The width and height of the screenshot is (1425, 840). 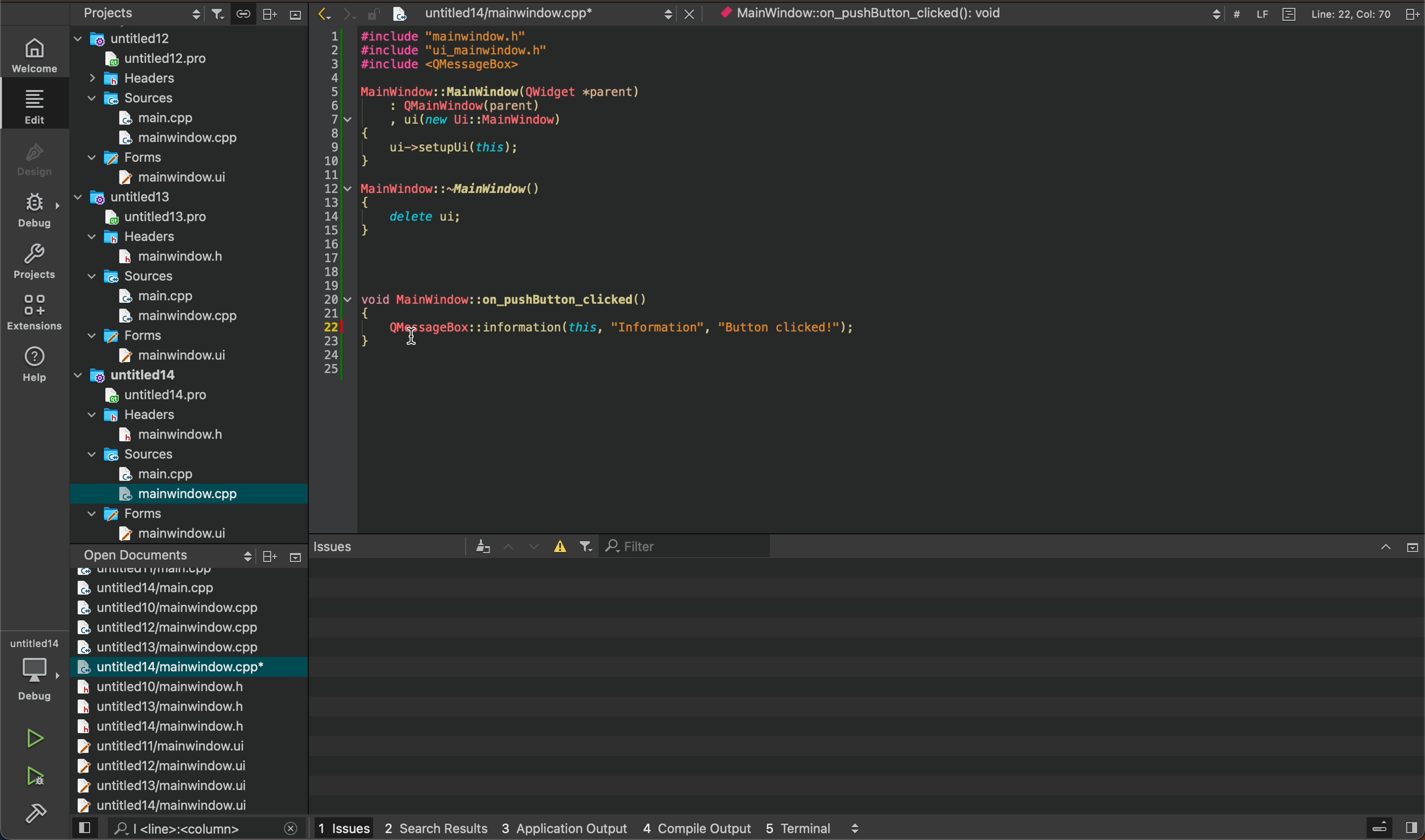 What do you see at coordinates (33, 364) in the screenshot?
I see `help` at bounding box center [33, 364].